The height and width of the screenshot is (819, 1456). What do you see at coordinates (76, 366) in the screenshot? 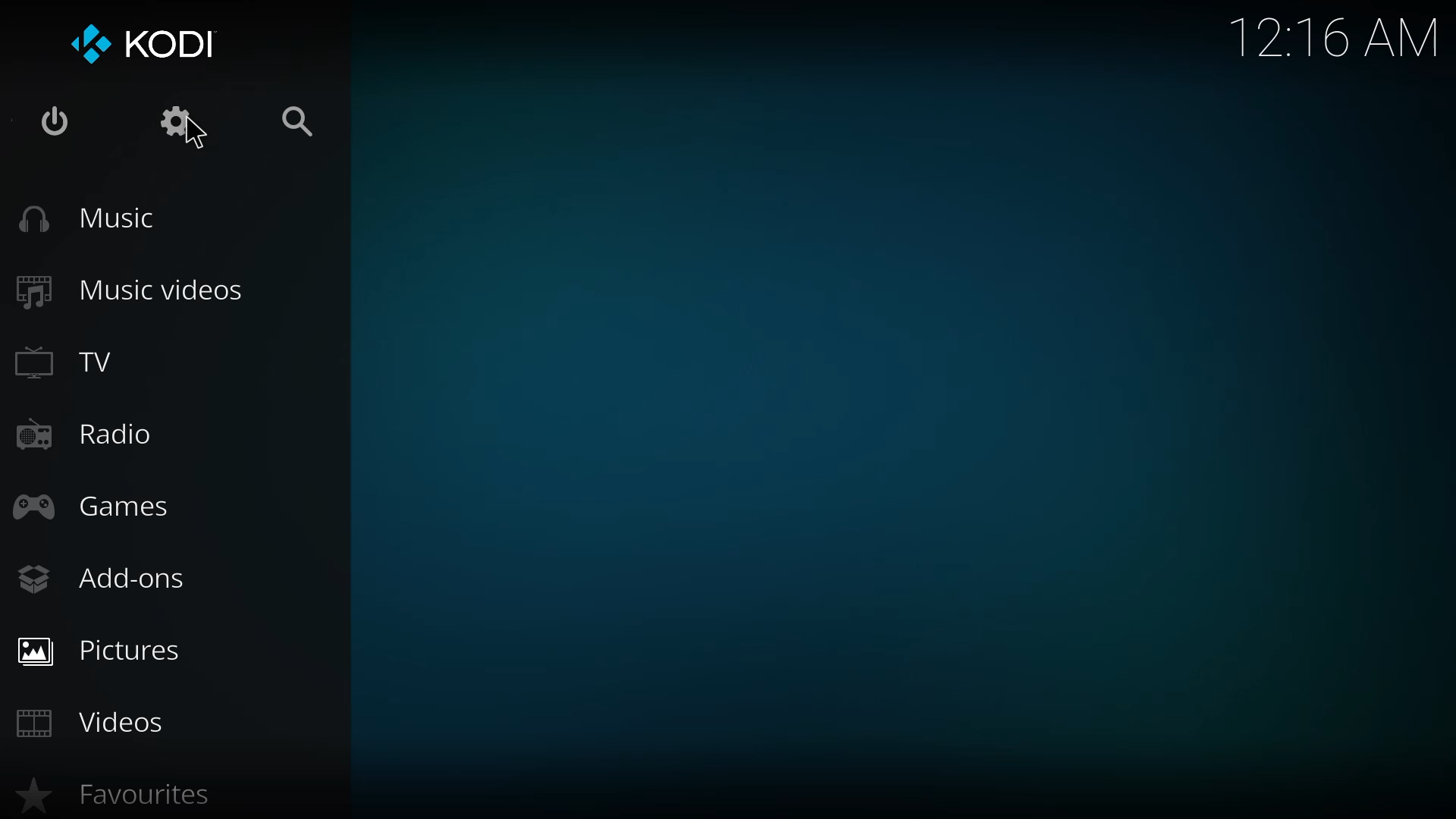
I see `tv` at bounding box center [76, 366].